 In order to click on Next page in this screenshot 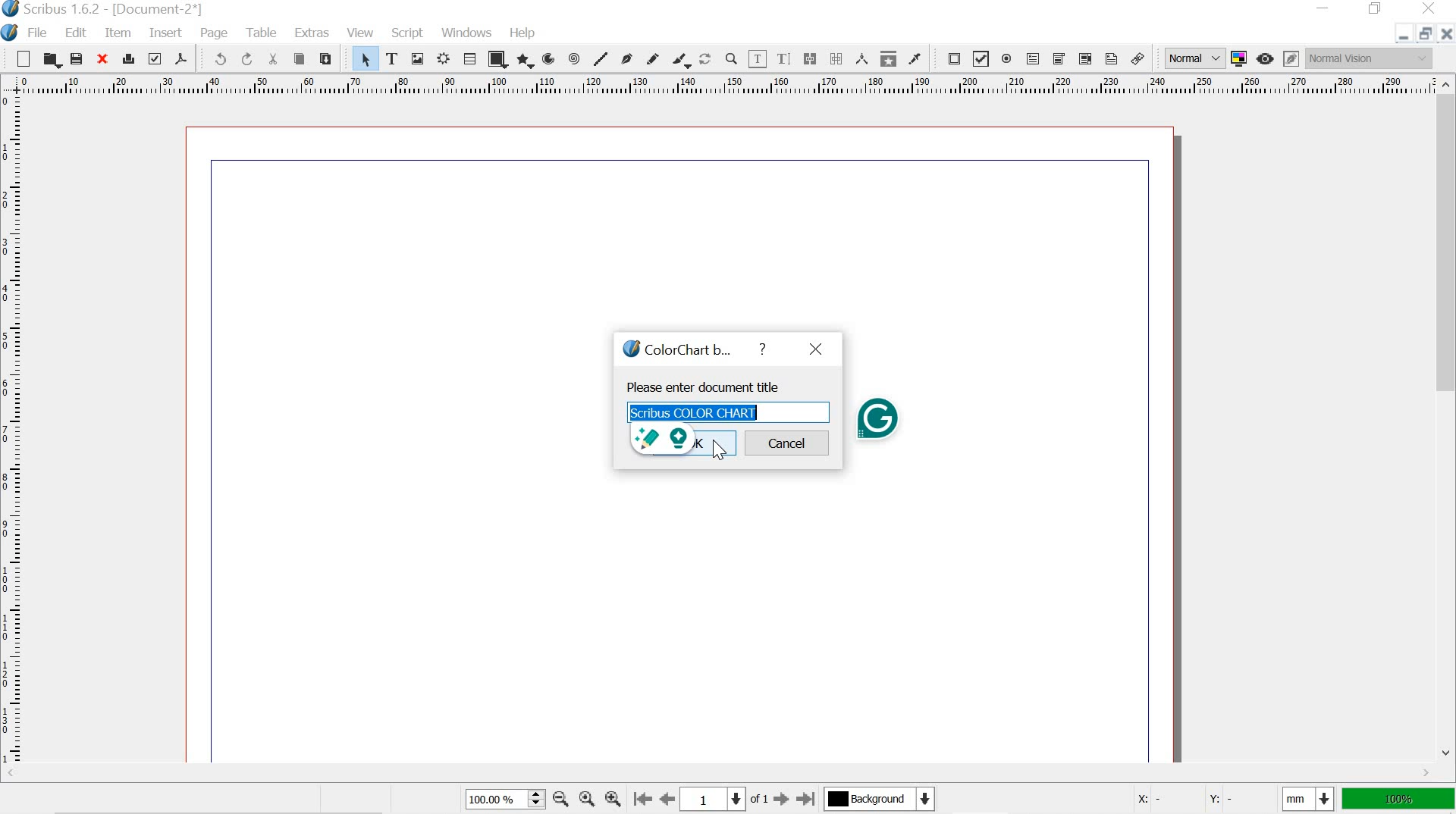, I will do `click(780, 800)`.